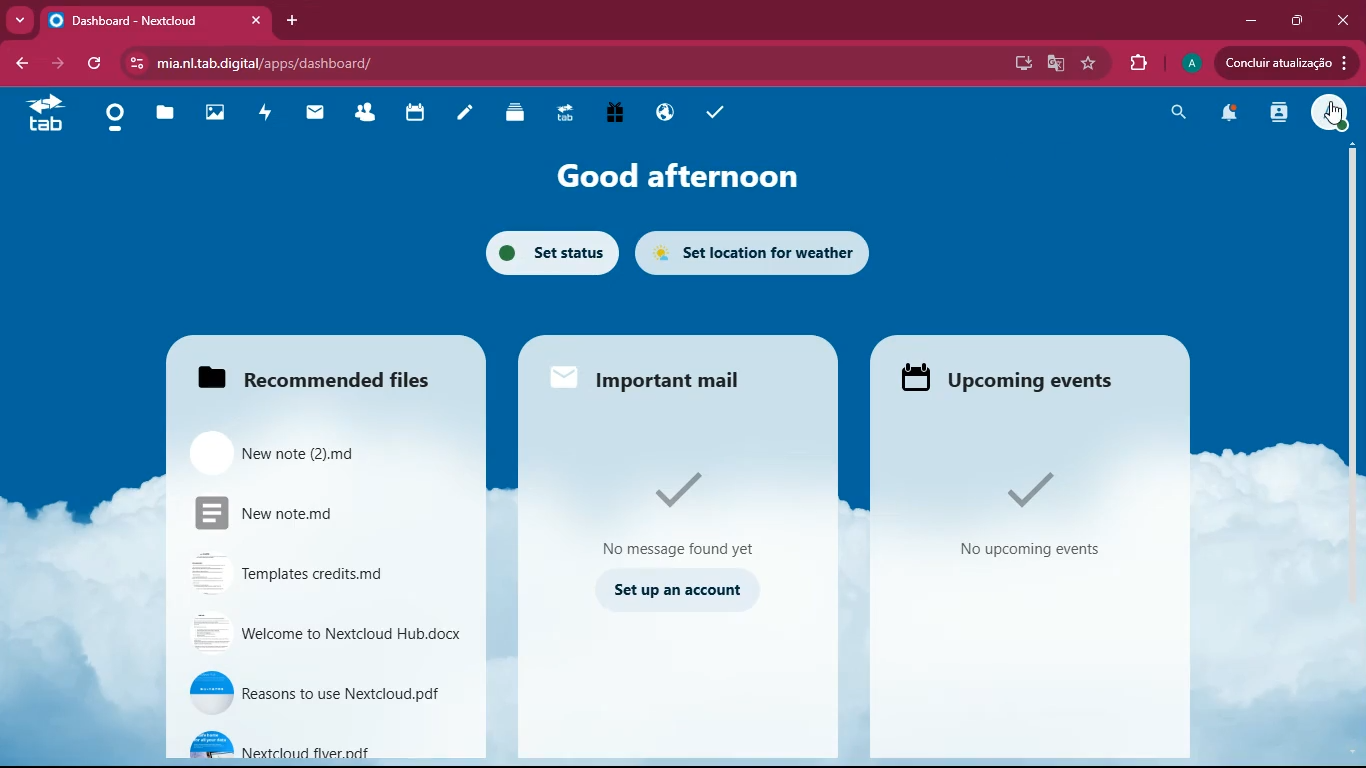  I want to click on layers, so click(511, 112).